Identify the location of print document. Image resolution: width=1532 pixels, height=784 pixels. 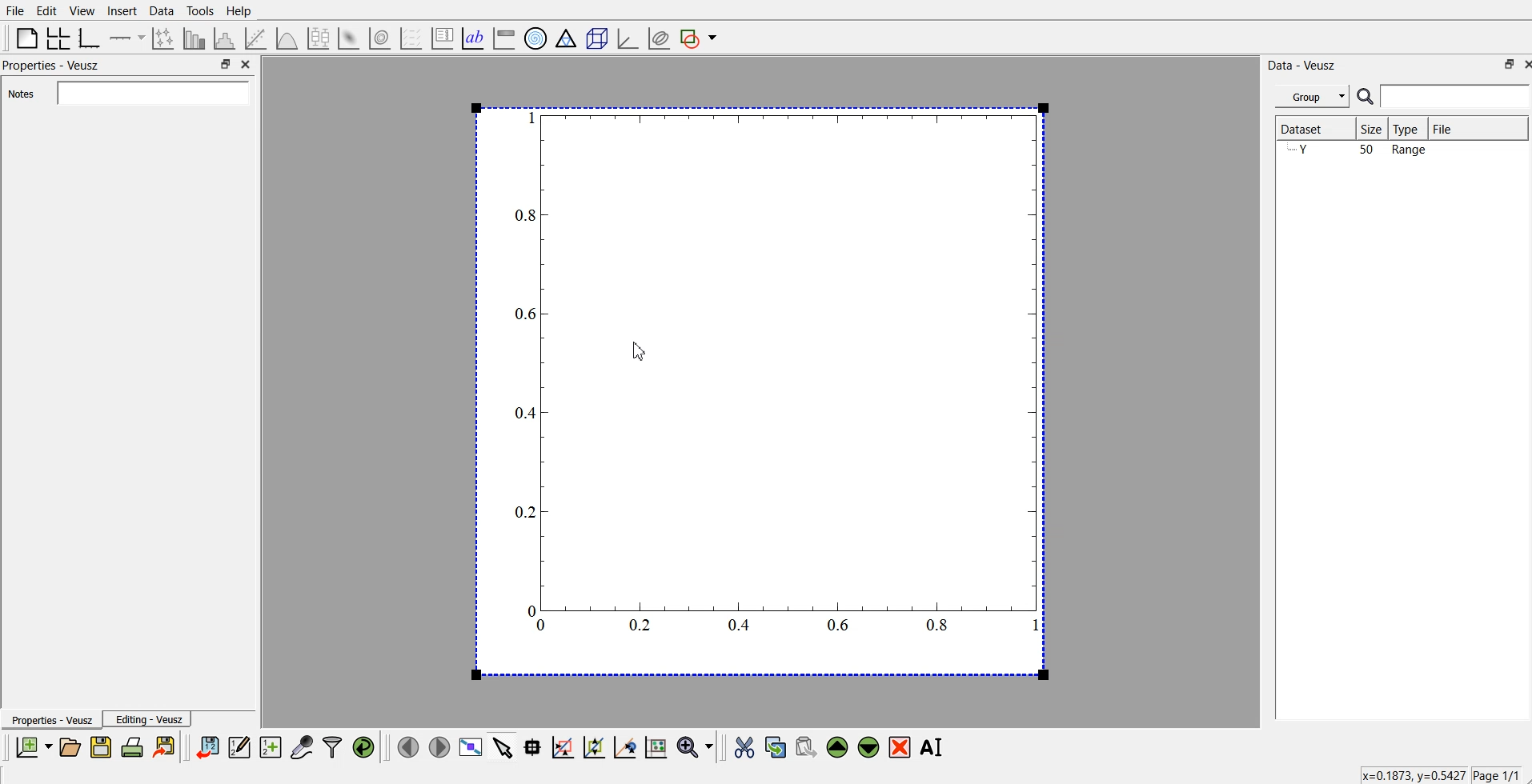
(133, 749).